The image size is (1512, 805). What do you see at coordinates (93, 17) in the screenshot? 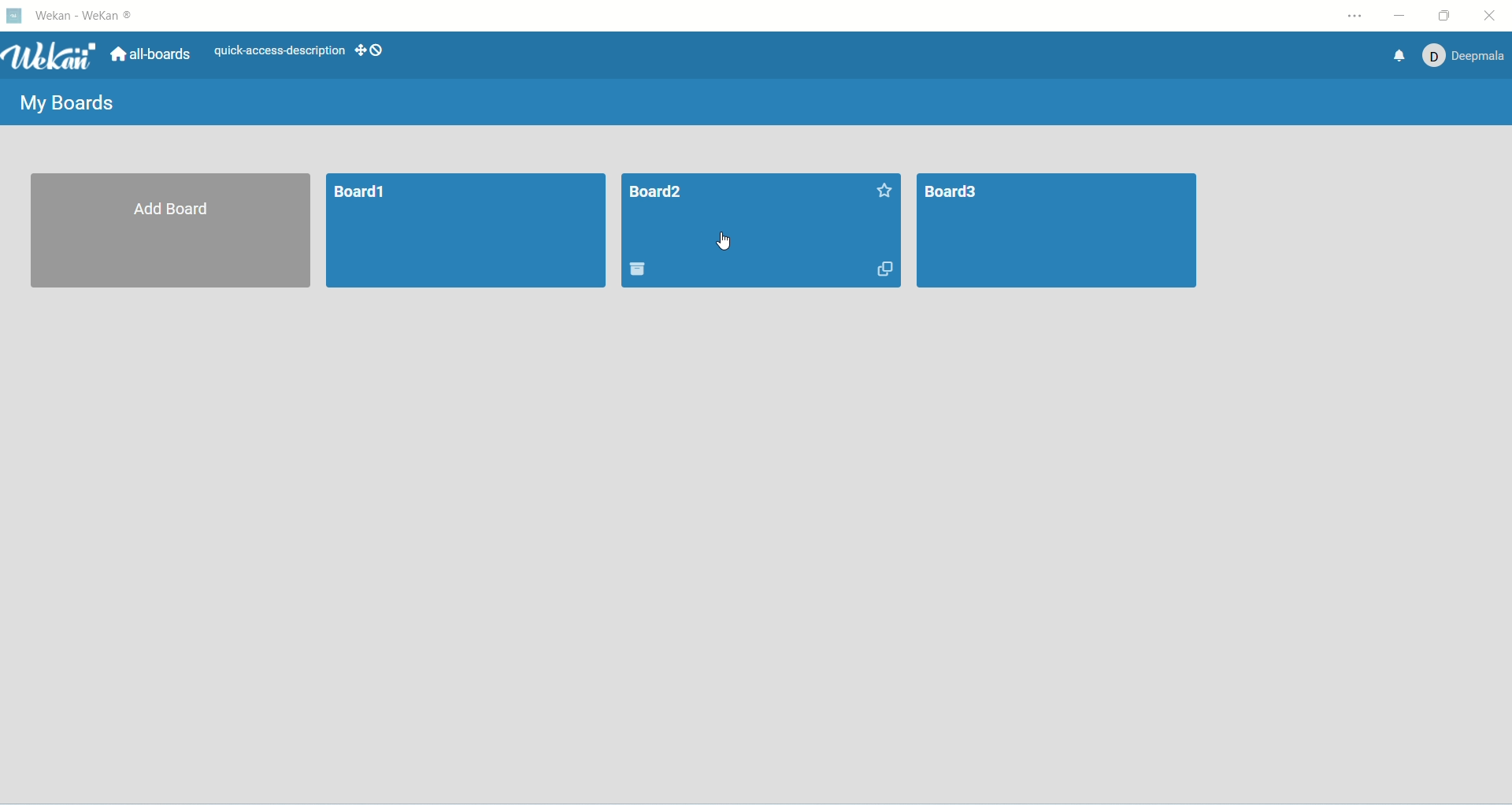
I see `wekan-wekan` at bounding box center [93, 17].